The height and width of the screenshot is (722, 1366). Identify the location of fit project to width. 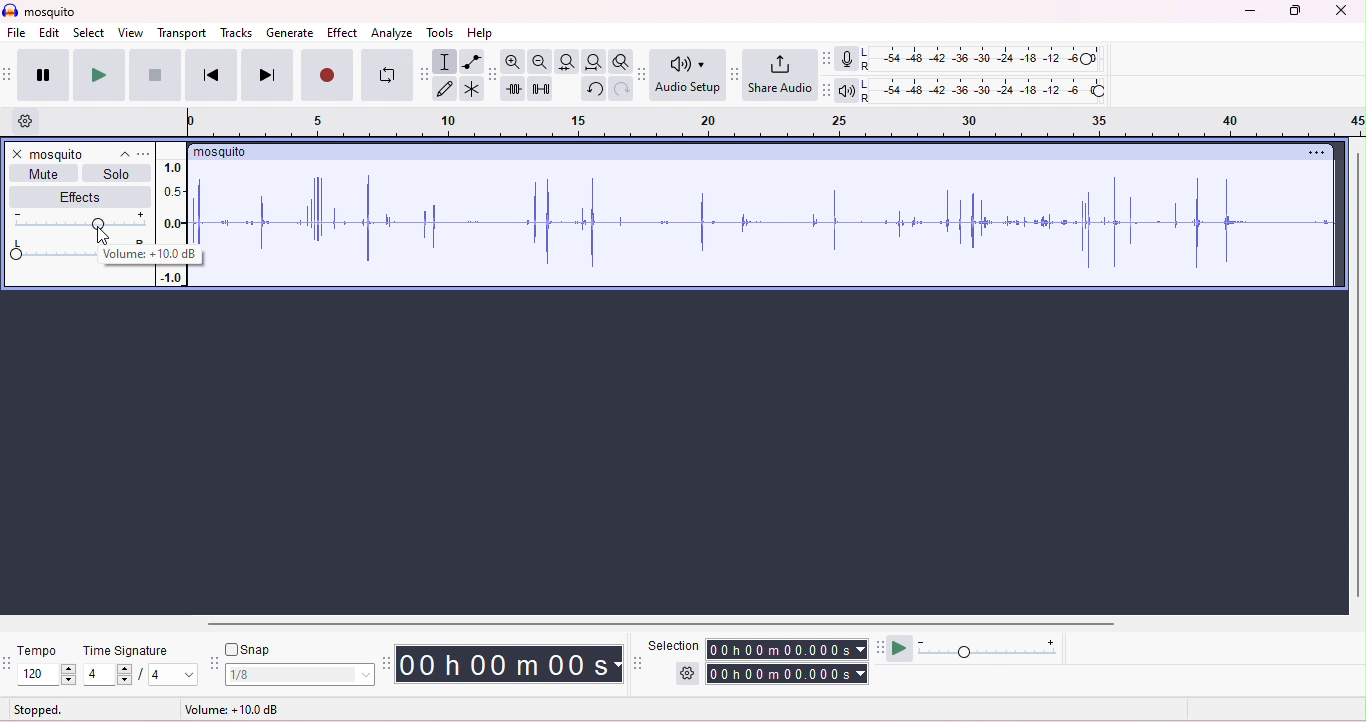
(593, 62).